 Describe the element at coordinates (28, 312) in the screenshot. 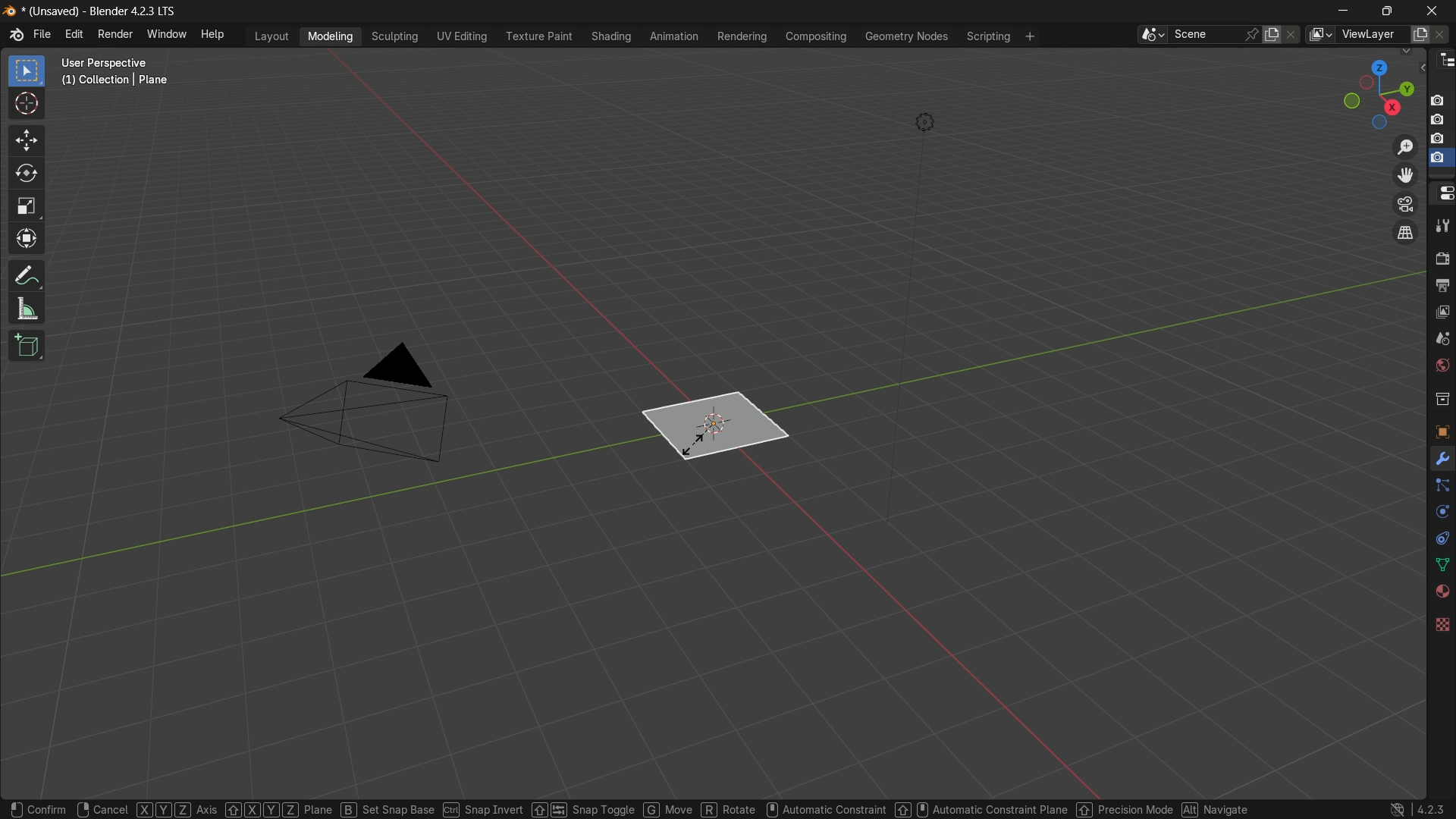

I see `measure` at that location.